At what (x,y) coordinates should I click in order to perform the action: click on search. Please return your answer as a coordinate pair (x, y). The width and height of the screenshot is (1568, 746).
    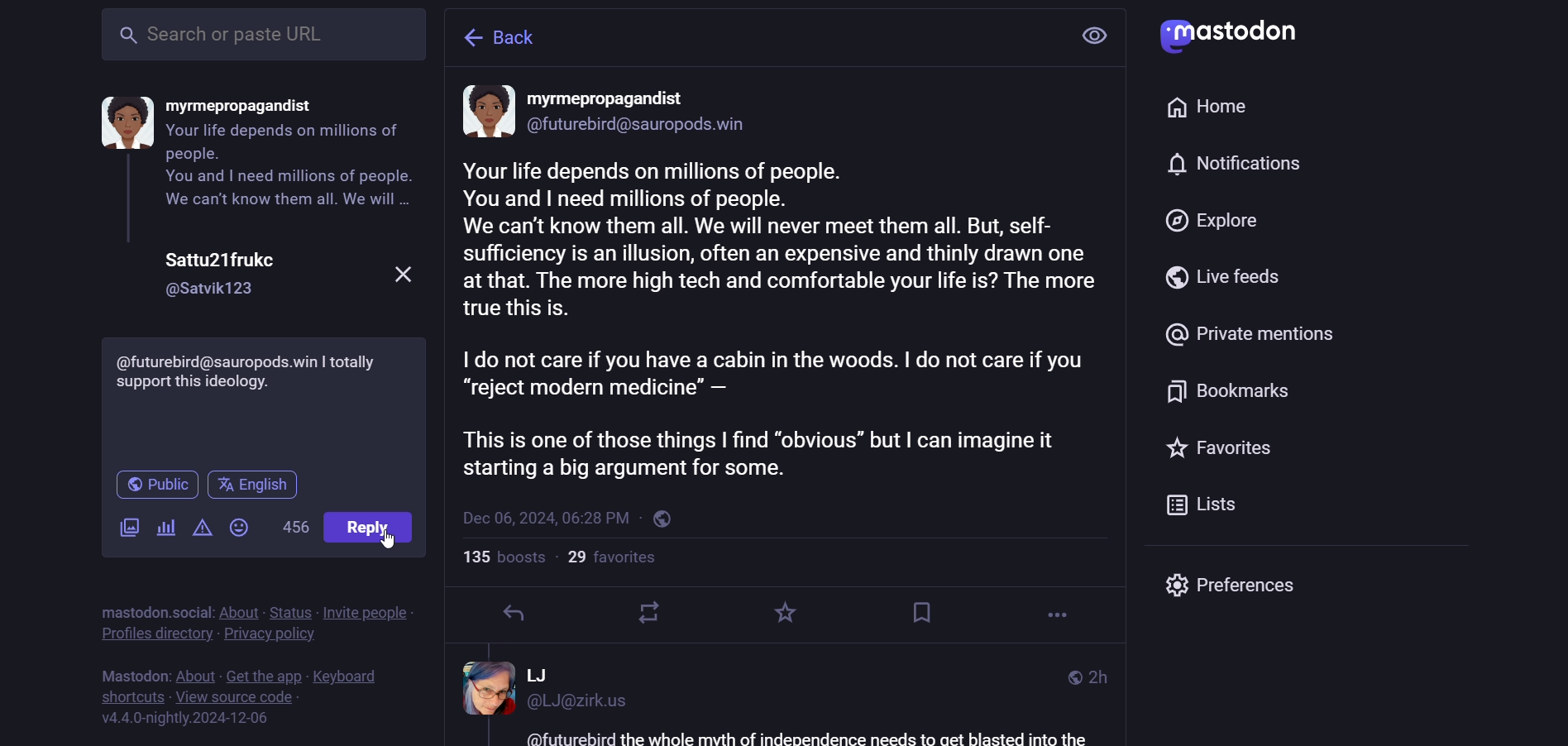
    Looking at the image, I should click on (265, 37).